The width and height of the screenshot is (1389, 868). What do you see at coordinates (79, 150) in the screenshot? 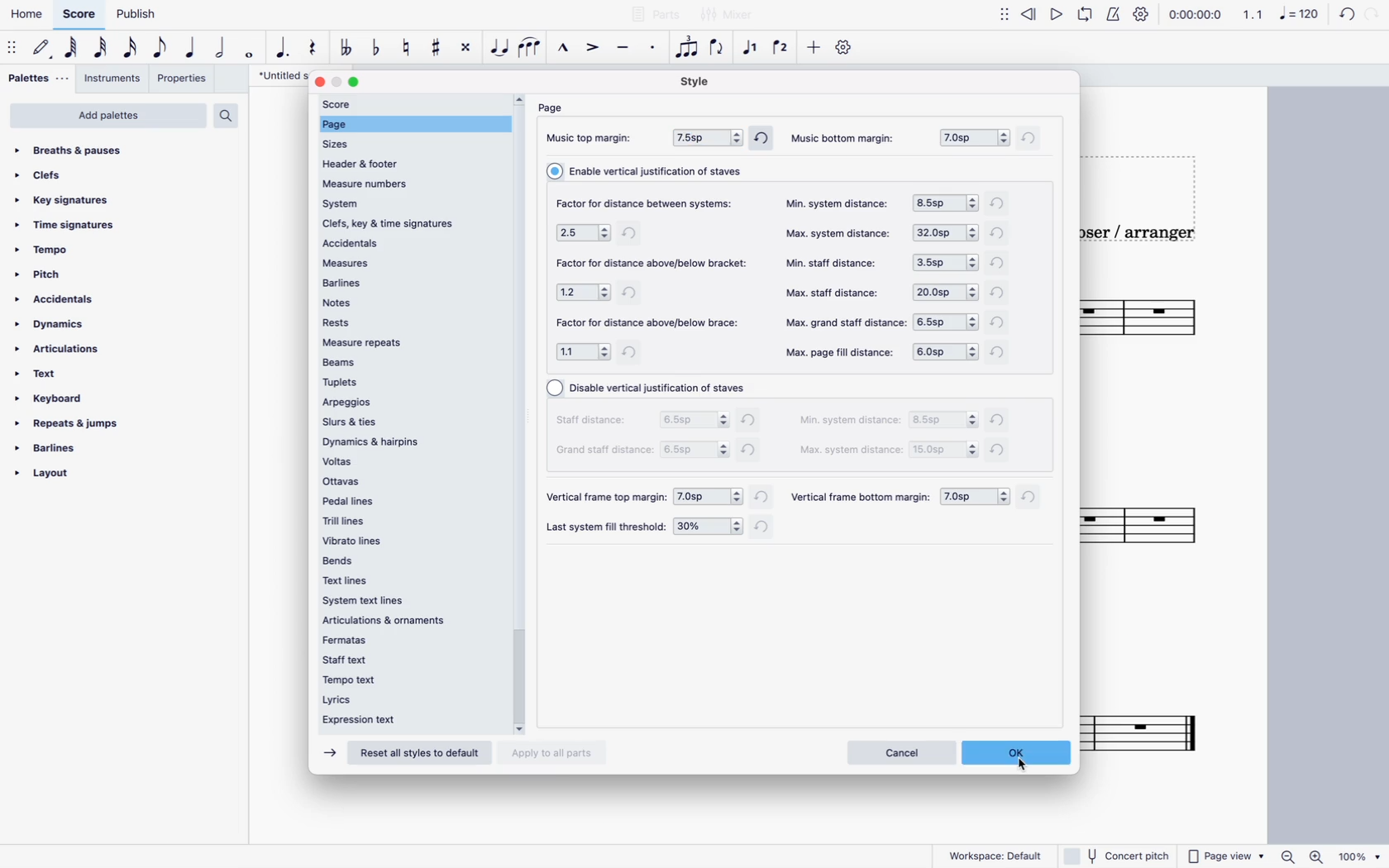
I see `breaths & pauses` at bounding box center [79, 150].